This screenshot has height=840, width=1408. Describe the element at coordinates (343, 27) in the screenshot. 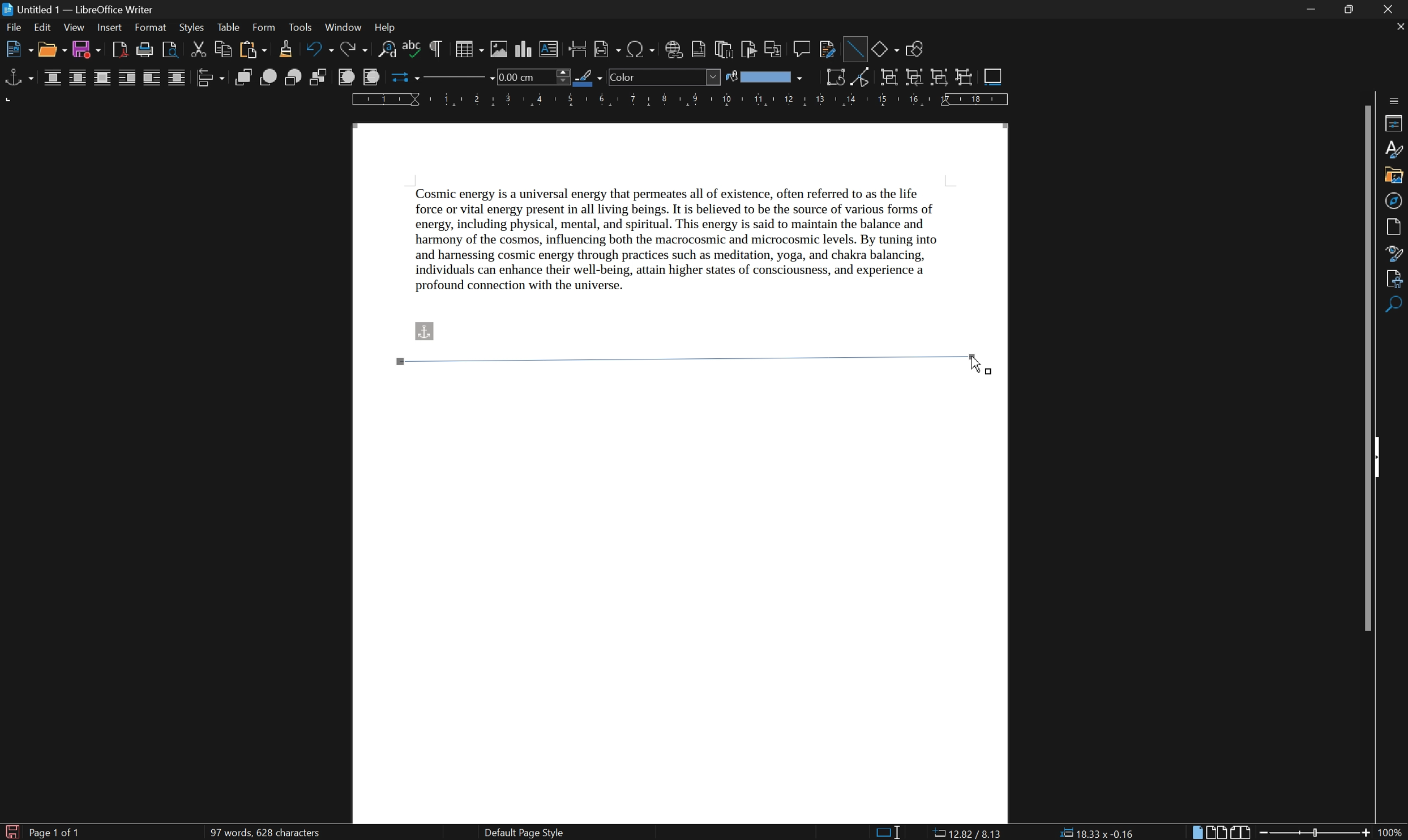

I see `window` at that location.